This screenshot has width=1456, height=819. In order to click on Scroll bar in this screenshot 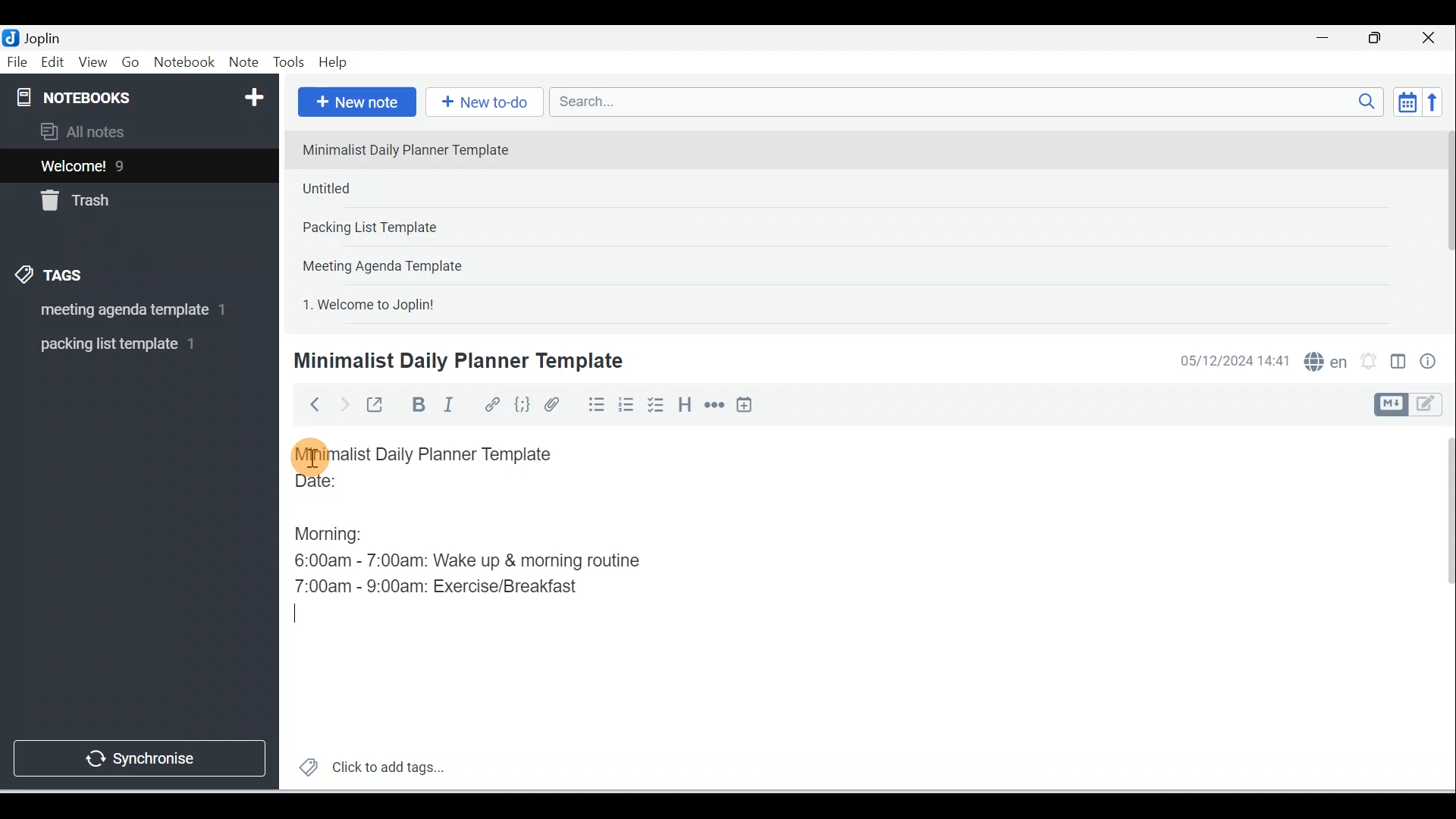, I will do `click(1444, 224)`.